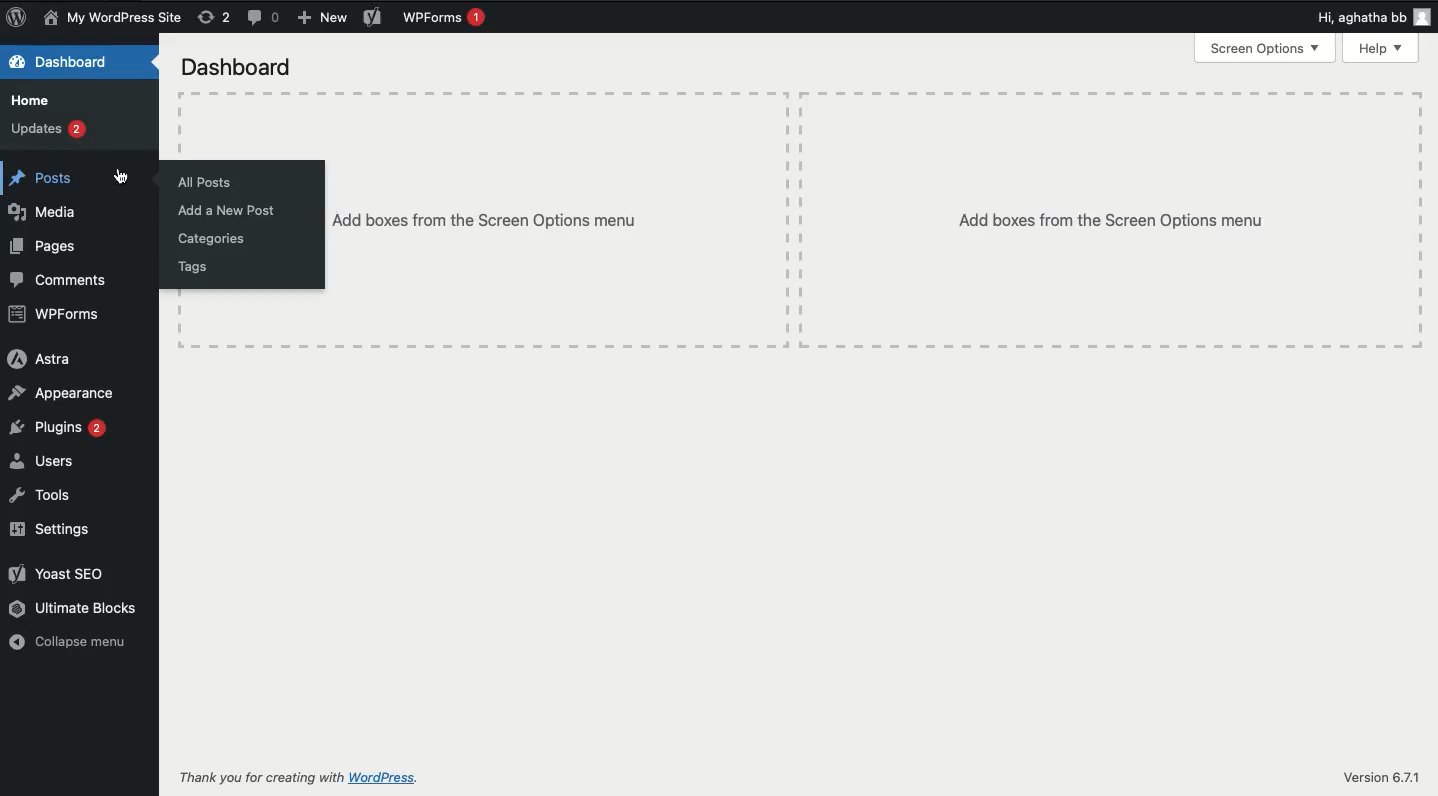 This screenshot has width=1438, height=796. I want to click on Tools, so click(39, 493).